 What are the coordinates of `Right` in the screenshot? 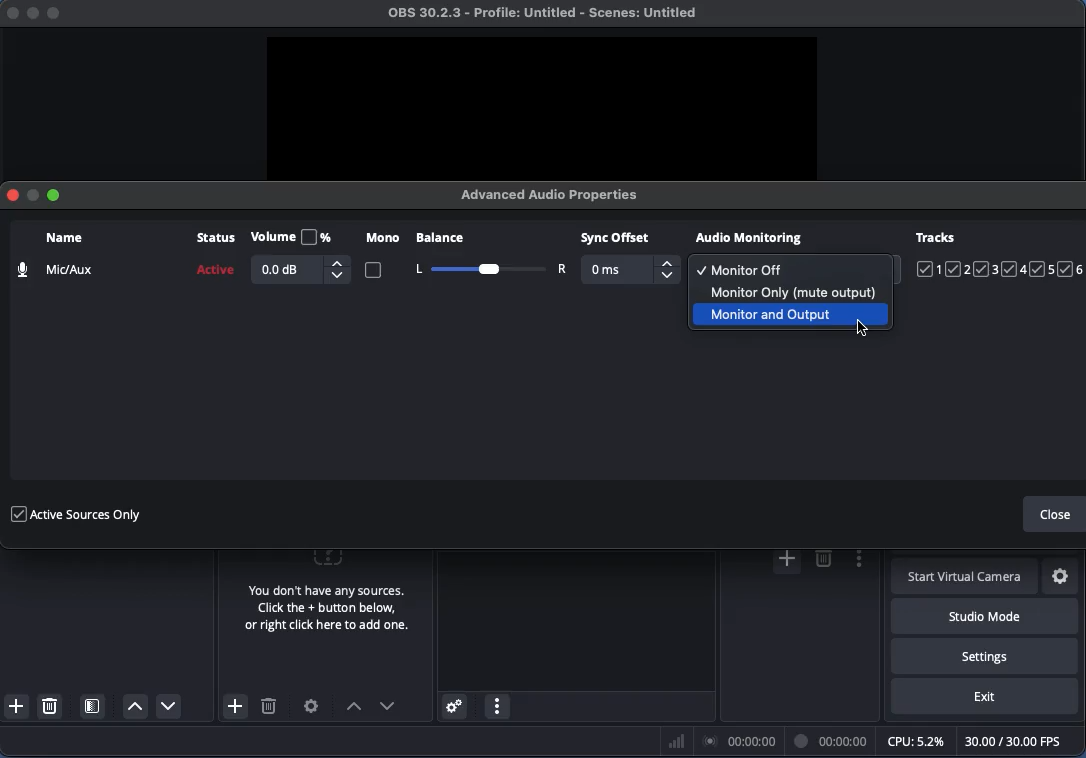 It's located at (561, 269).